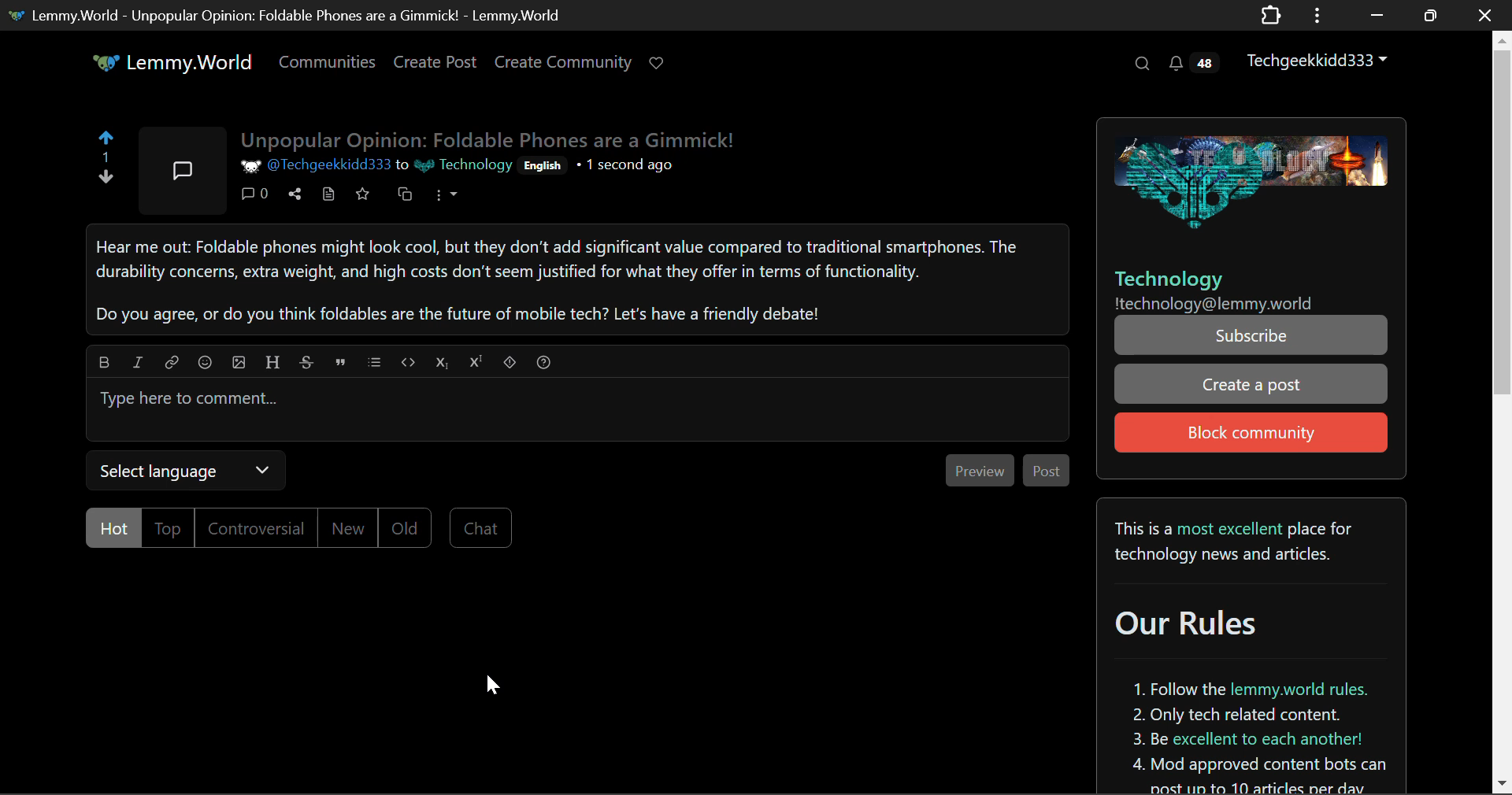  Describe the element at coordinates (1503, 409) in the screenshot. I see `Scroll Bar` at that location.